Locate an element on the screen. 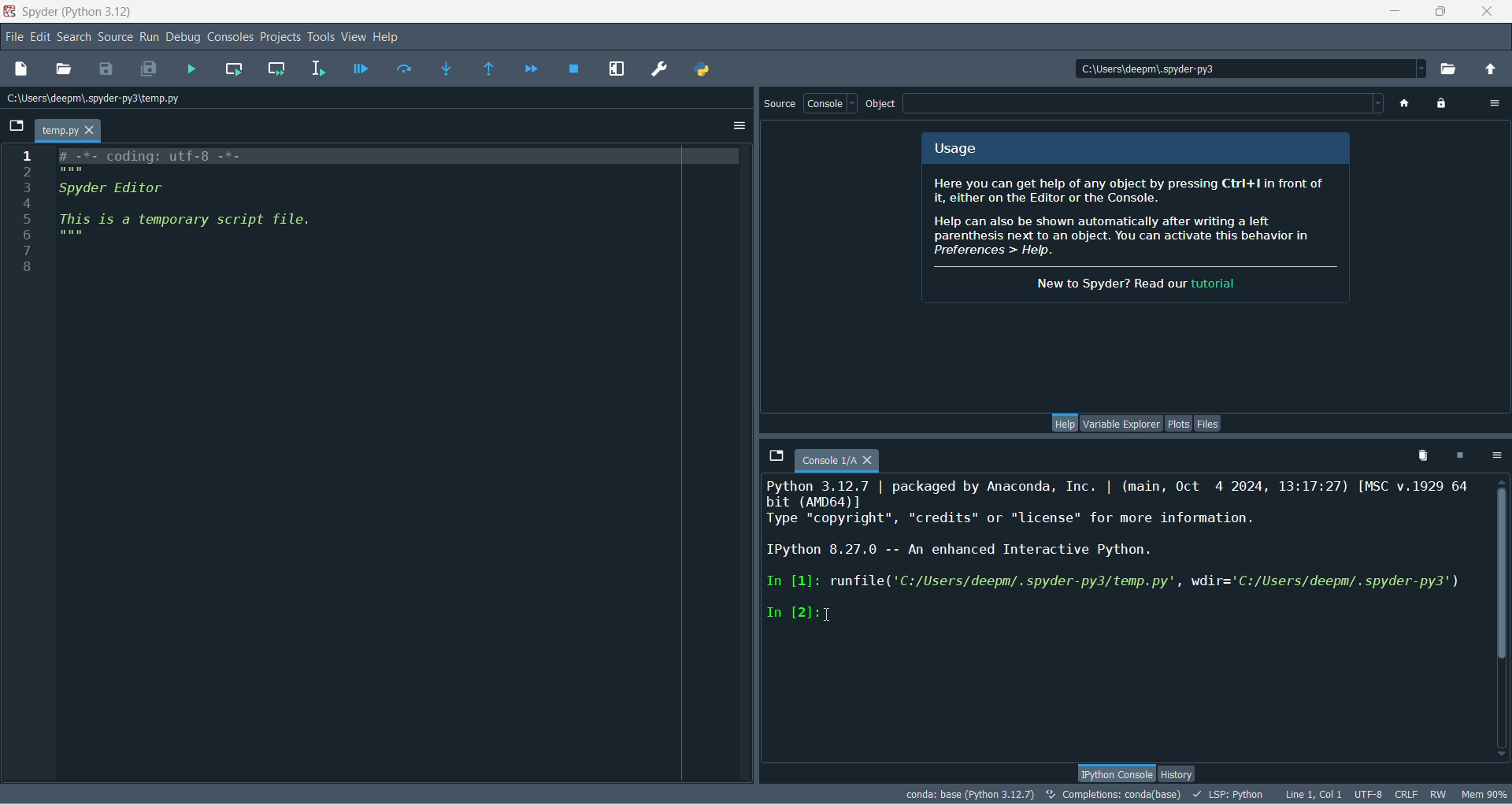 The width and height of the screenshot is (1512, 805). options is located at coordinates (1496, 102).